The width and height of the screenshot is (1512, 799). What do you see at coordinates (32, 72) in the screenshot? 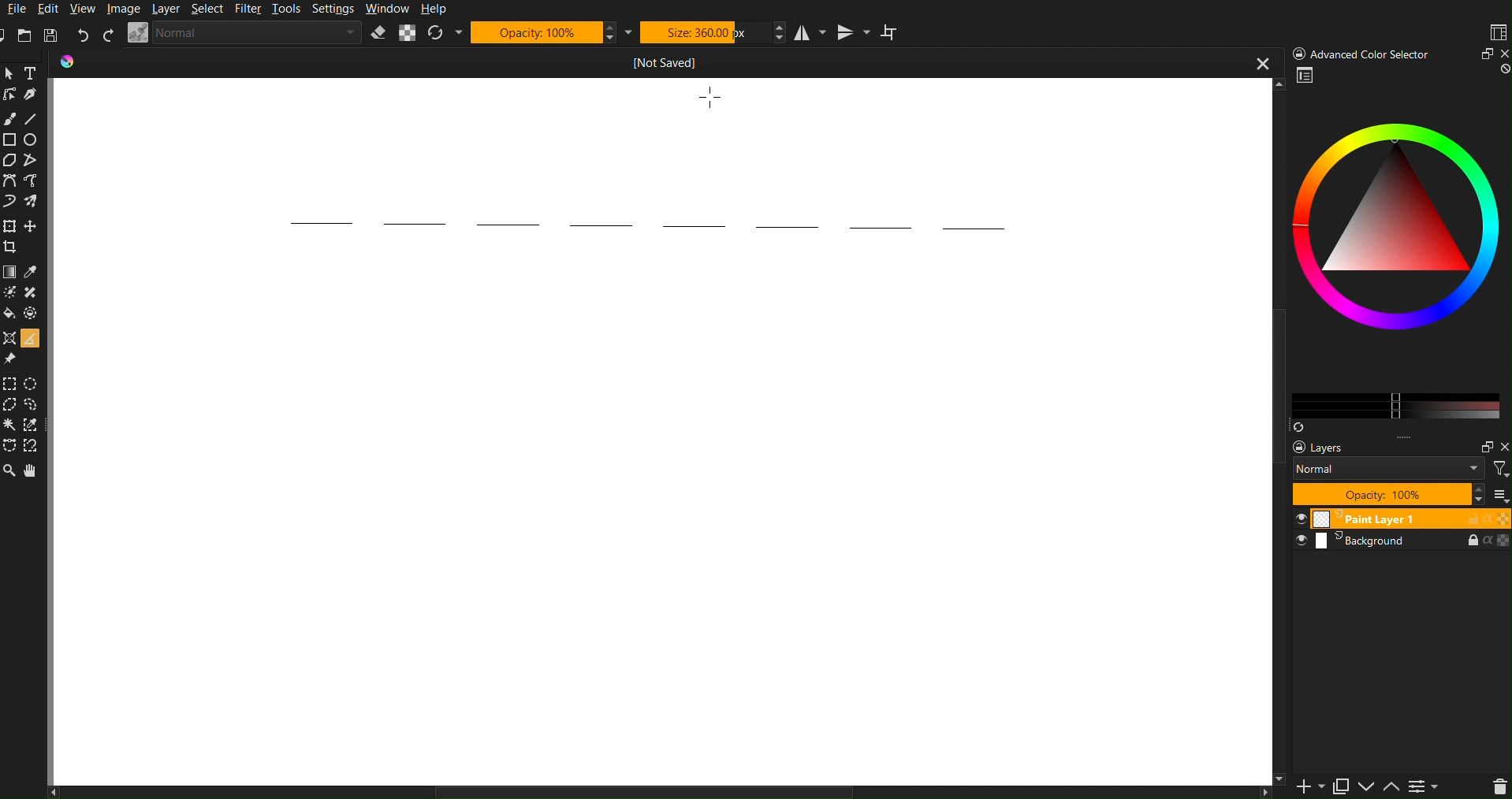
I see `Text` at bounding box center [32, 72].